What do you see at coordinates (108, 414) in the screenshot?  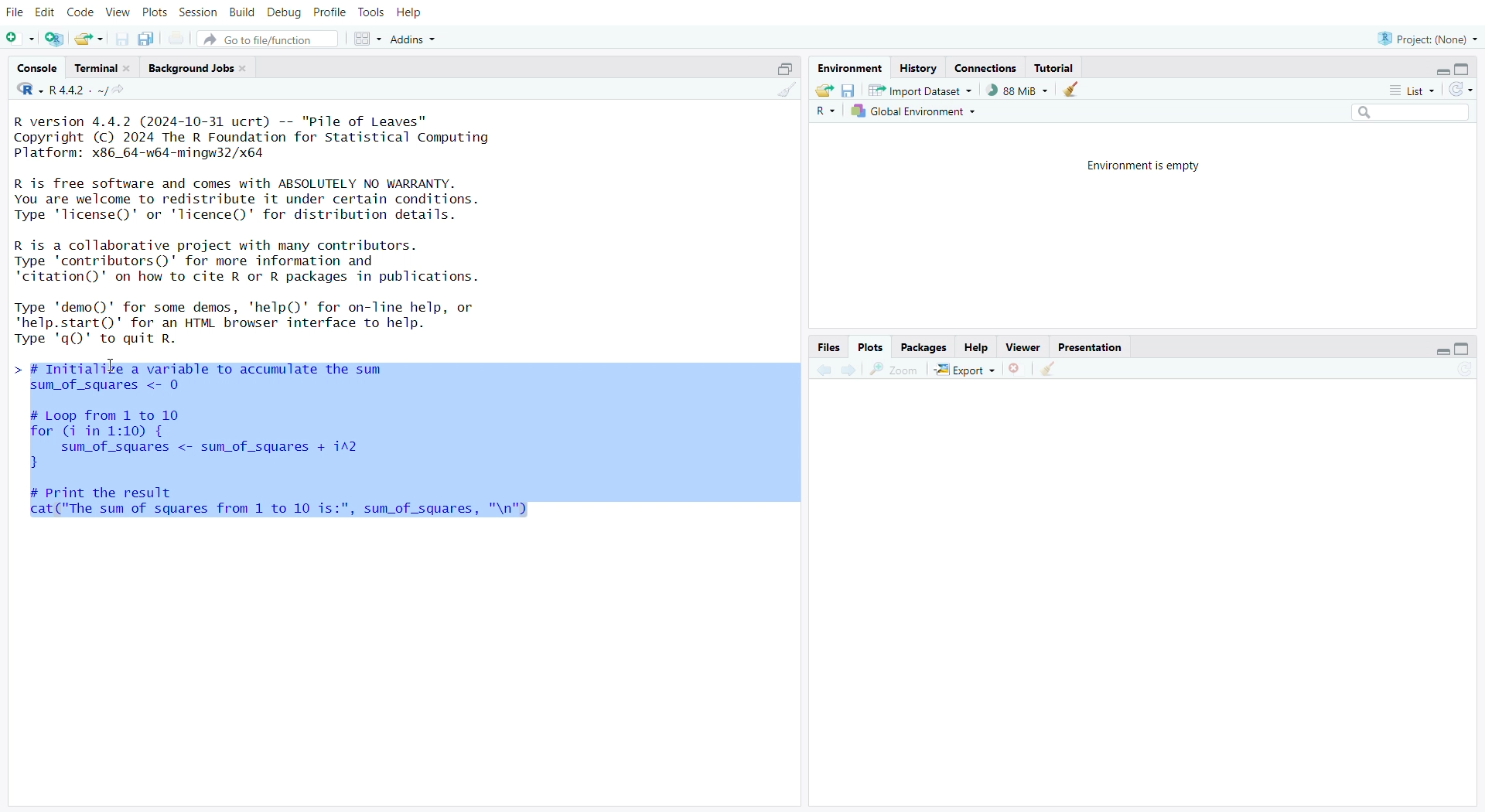 I see `# Loop from 1 to 10` at bounding box center [108, 414].